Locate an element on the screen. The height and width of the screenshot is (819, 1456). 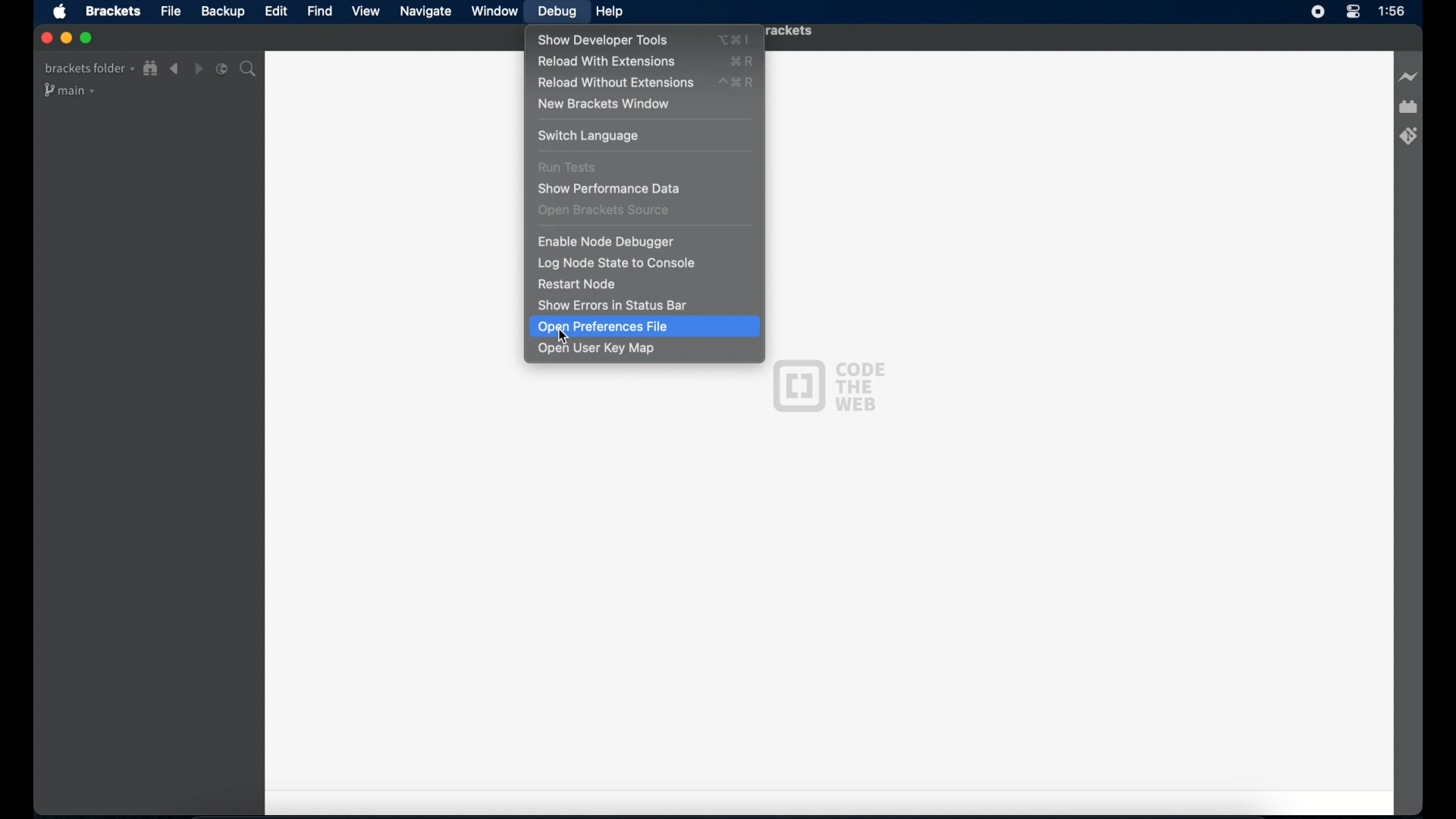
restart  node is located at coordinates (577, 284).